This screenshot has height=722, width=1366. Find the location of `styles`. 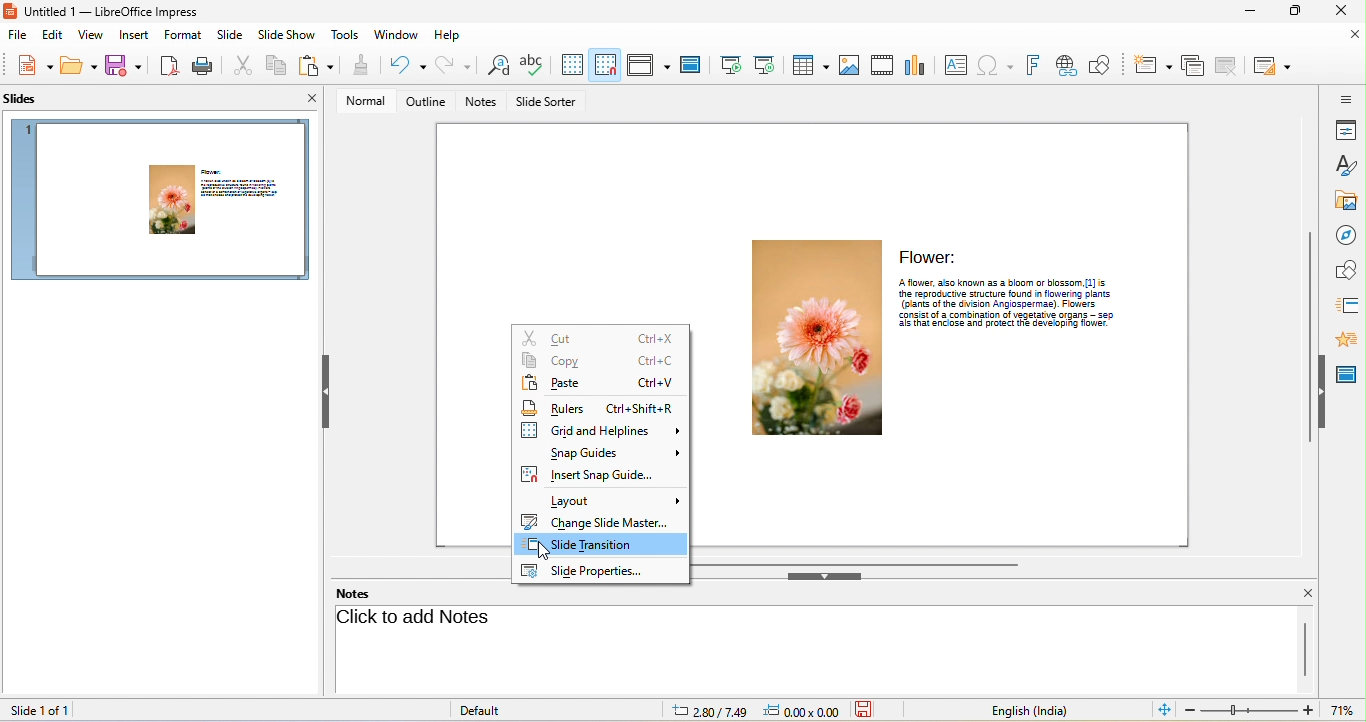

styles is located at coordinates (1347, 165).